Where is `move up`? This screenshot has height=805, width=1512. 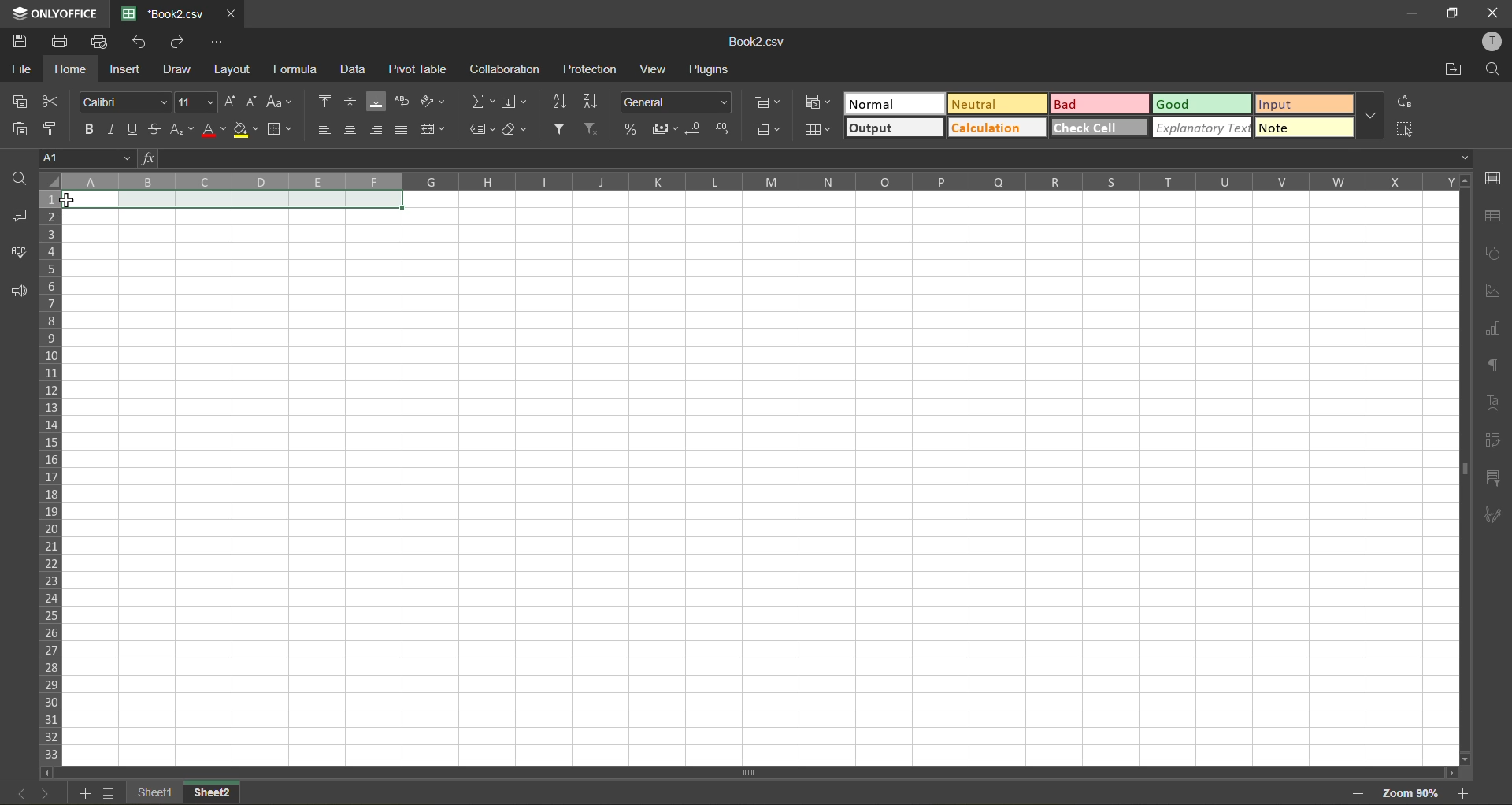
move up is located at coordinates (1463, 181).